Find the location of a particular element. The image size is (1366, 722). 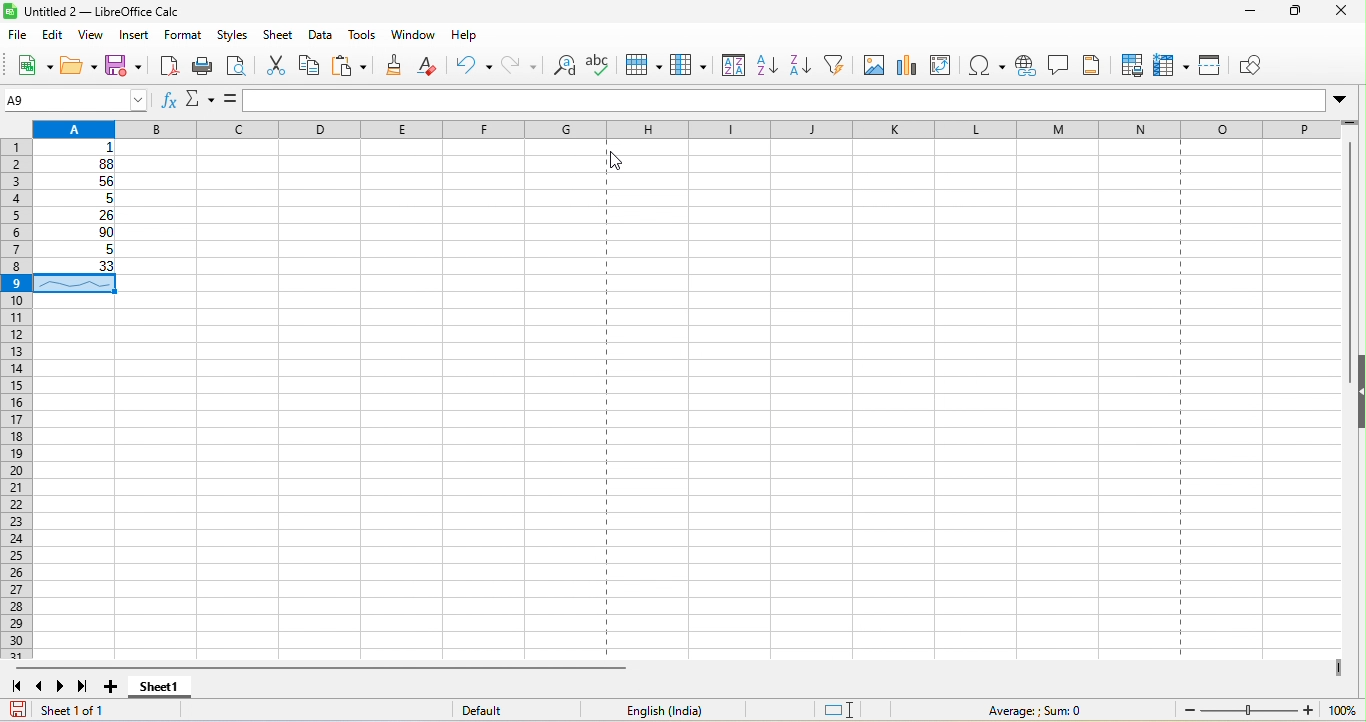

56 is located at coordinates (82, 182).